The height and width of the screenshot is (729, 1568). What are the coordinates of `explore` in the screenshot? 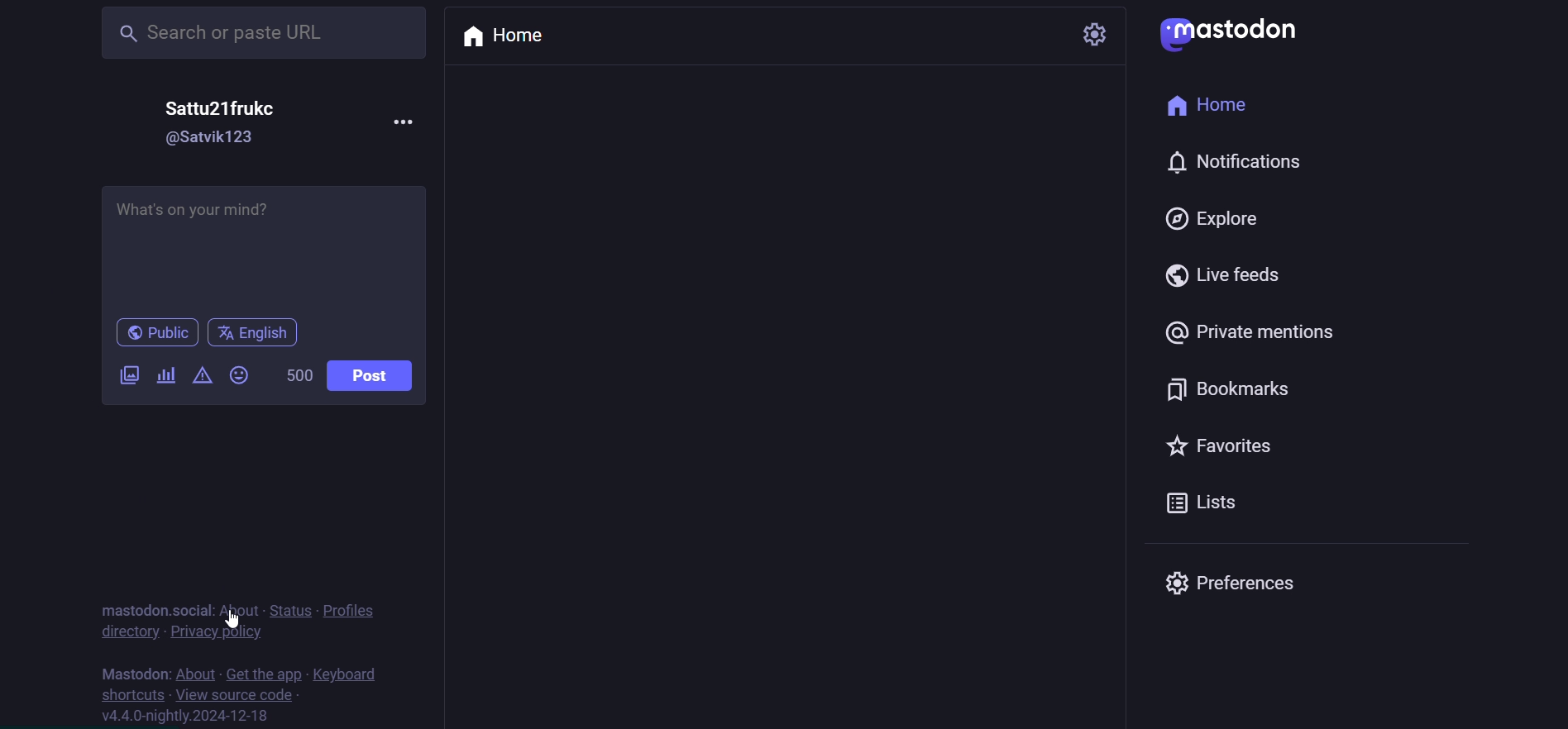 It's located at (1217, 222).